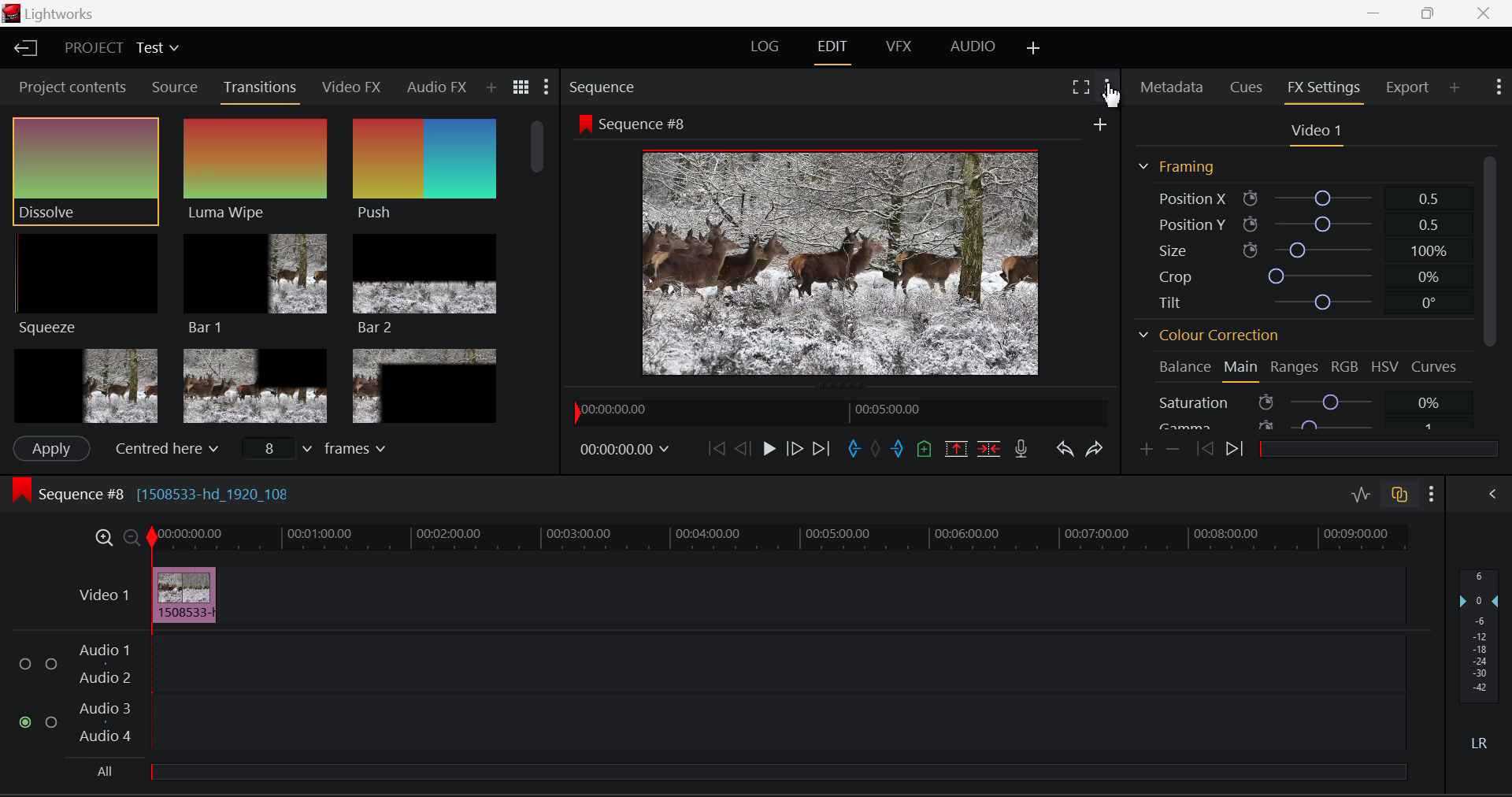 This screenshot has height=797, width=1512. What do you see at coordinates (1317, 132) in the screenshot?
I see `Video Settings` at bounding box center [1317, 132].